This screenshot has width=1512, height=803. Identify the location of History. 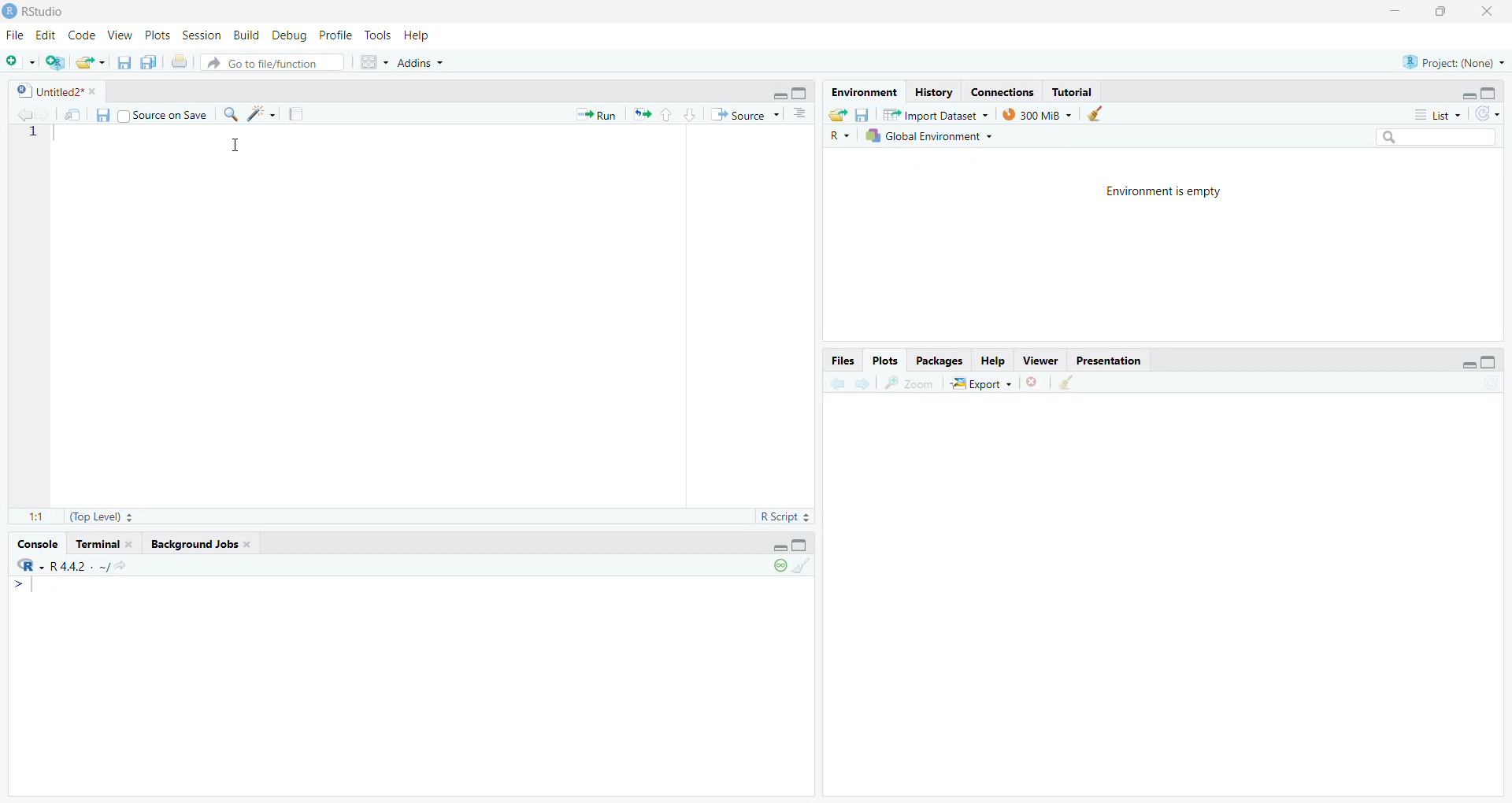
(934, 91).